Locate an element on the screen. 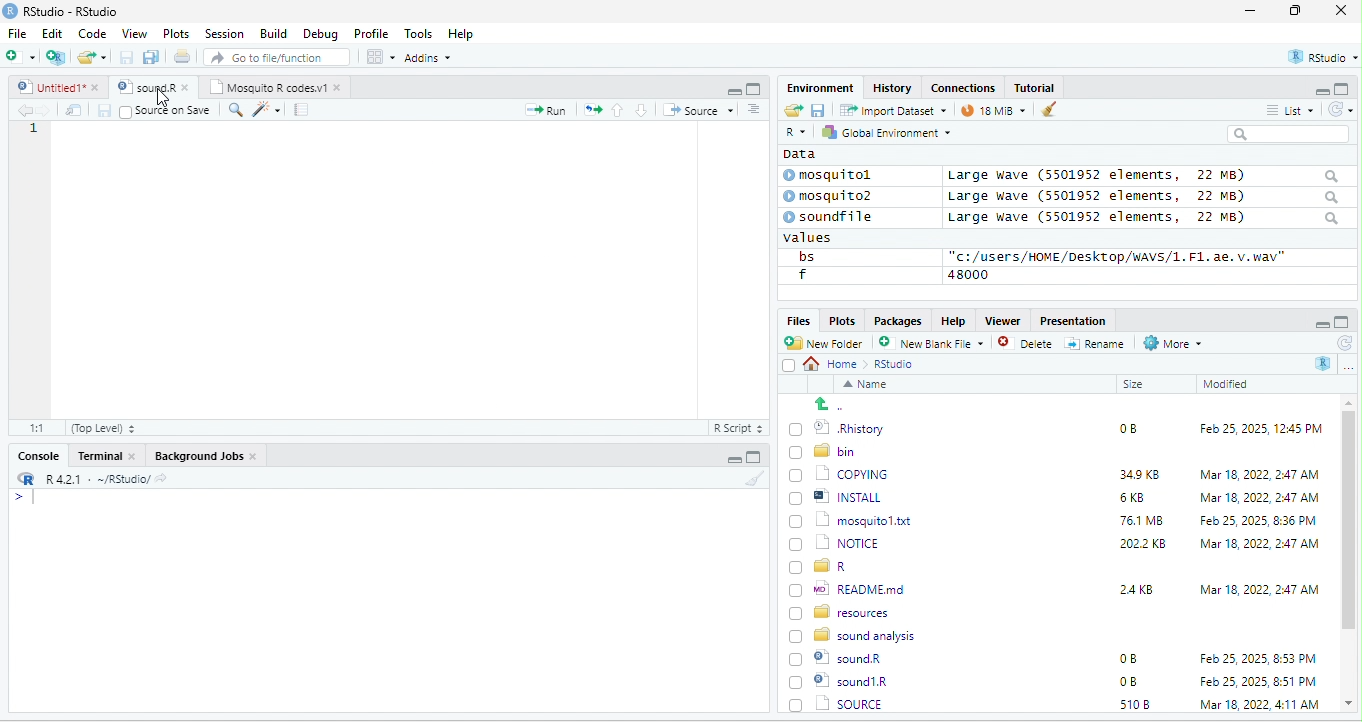 The height and width of the screenshot is (722, 1362). 1302 KB is located at coordinates (1145, 704).